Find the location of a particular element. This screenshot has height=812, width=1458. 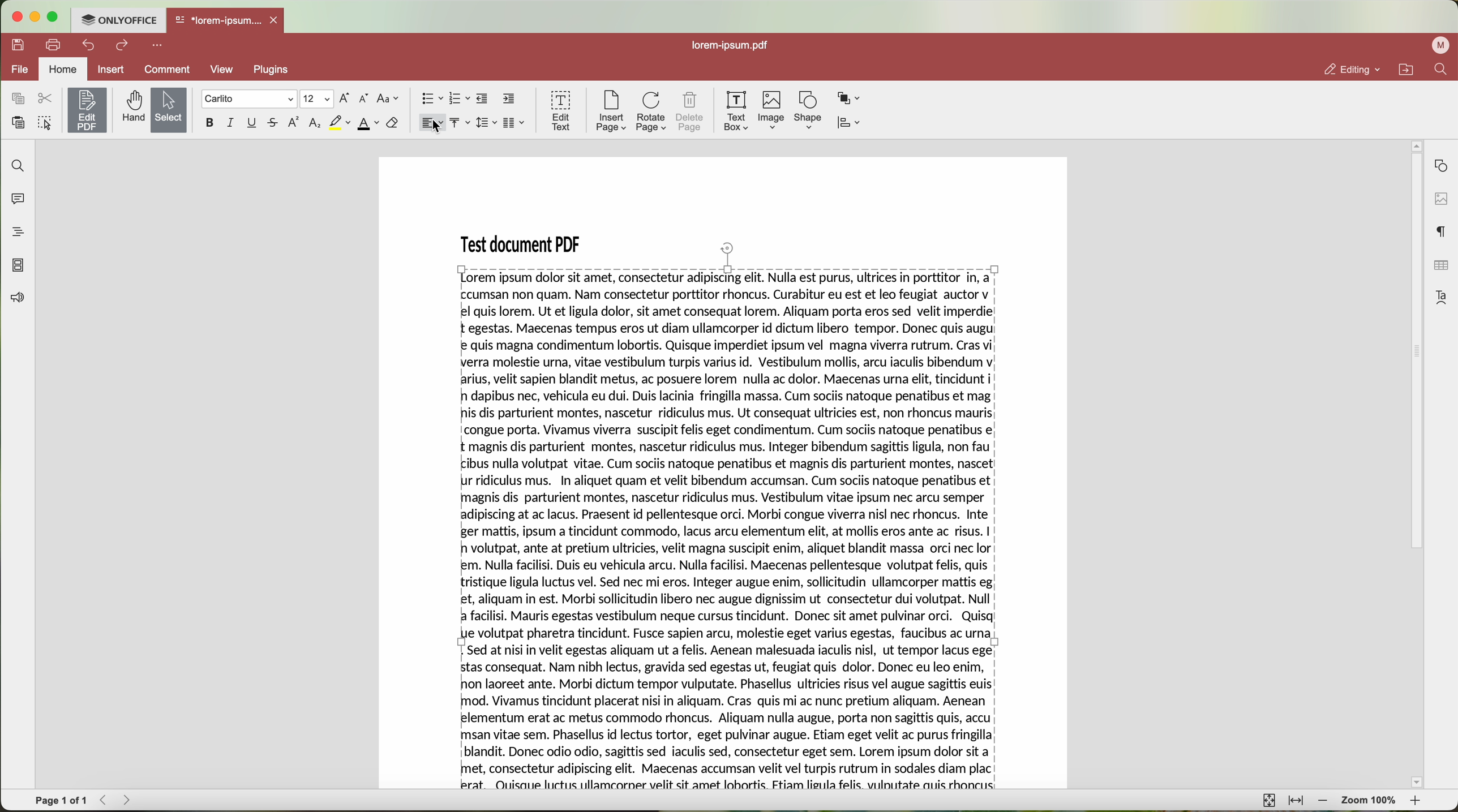

save is located at coordinates (18, 45).